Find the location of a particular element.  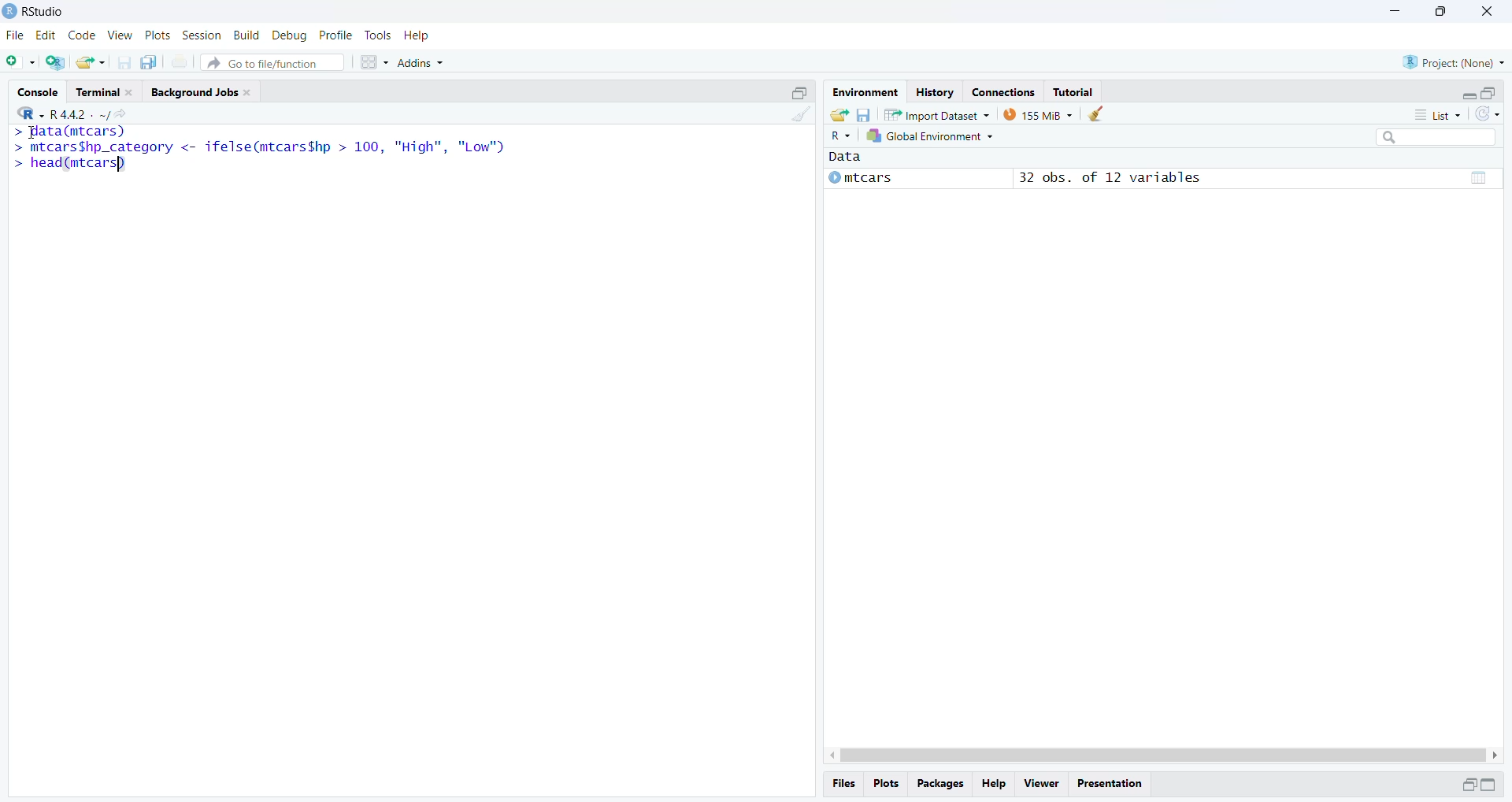

R is located at coordinates (842, 136).